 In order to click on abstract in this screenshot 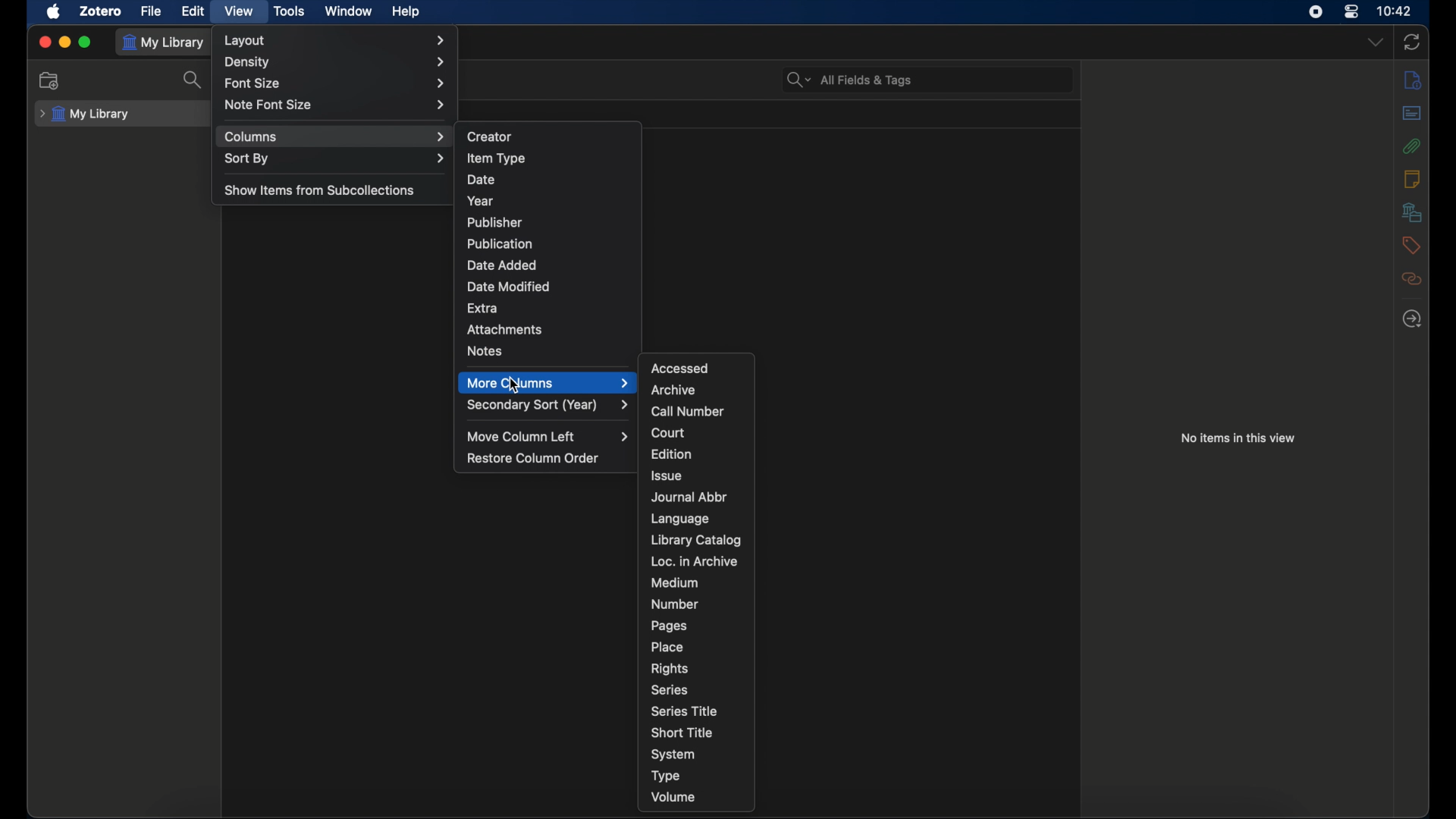, I will do `click(1412, 113)`.